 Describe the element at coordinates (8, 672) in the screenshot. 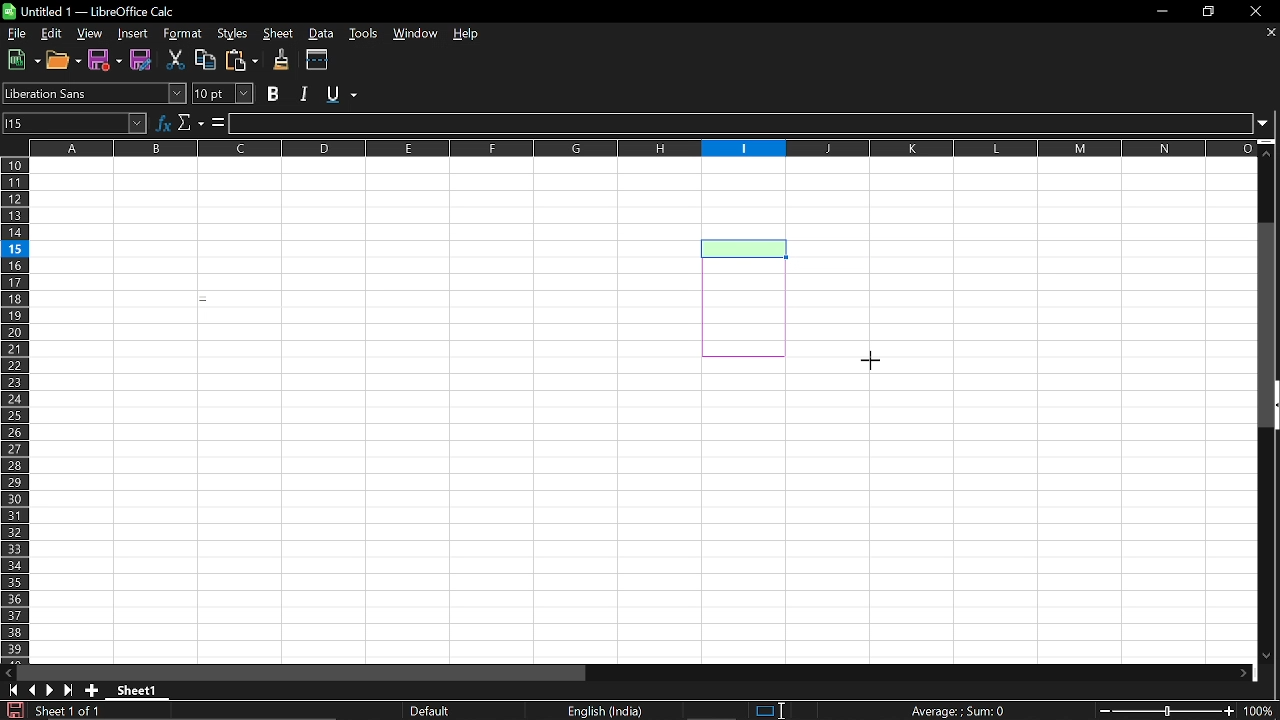

I see `Move left` at that location.